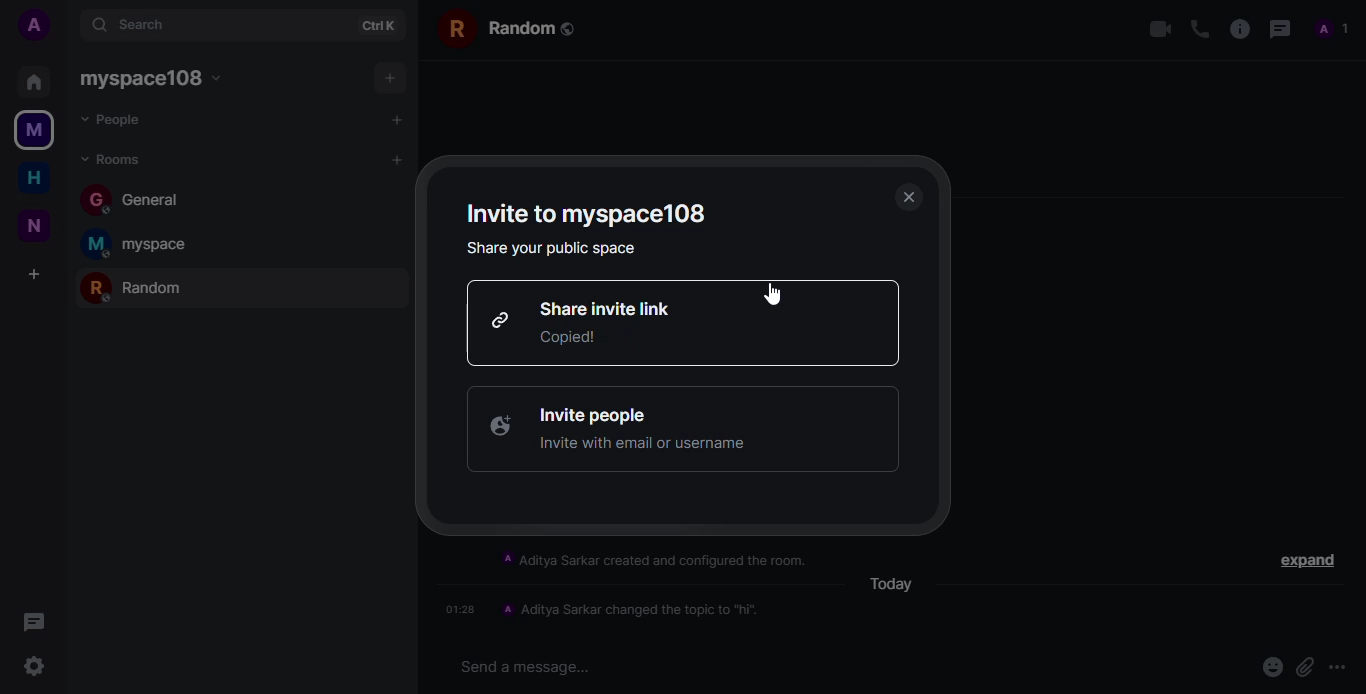 Image resolution: width=1366 pixels, height=694 pixels. Describe the element at coordinates (138, 199) in the screenshot. I see `general` at that location.